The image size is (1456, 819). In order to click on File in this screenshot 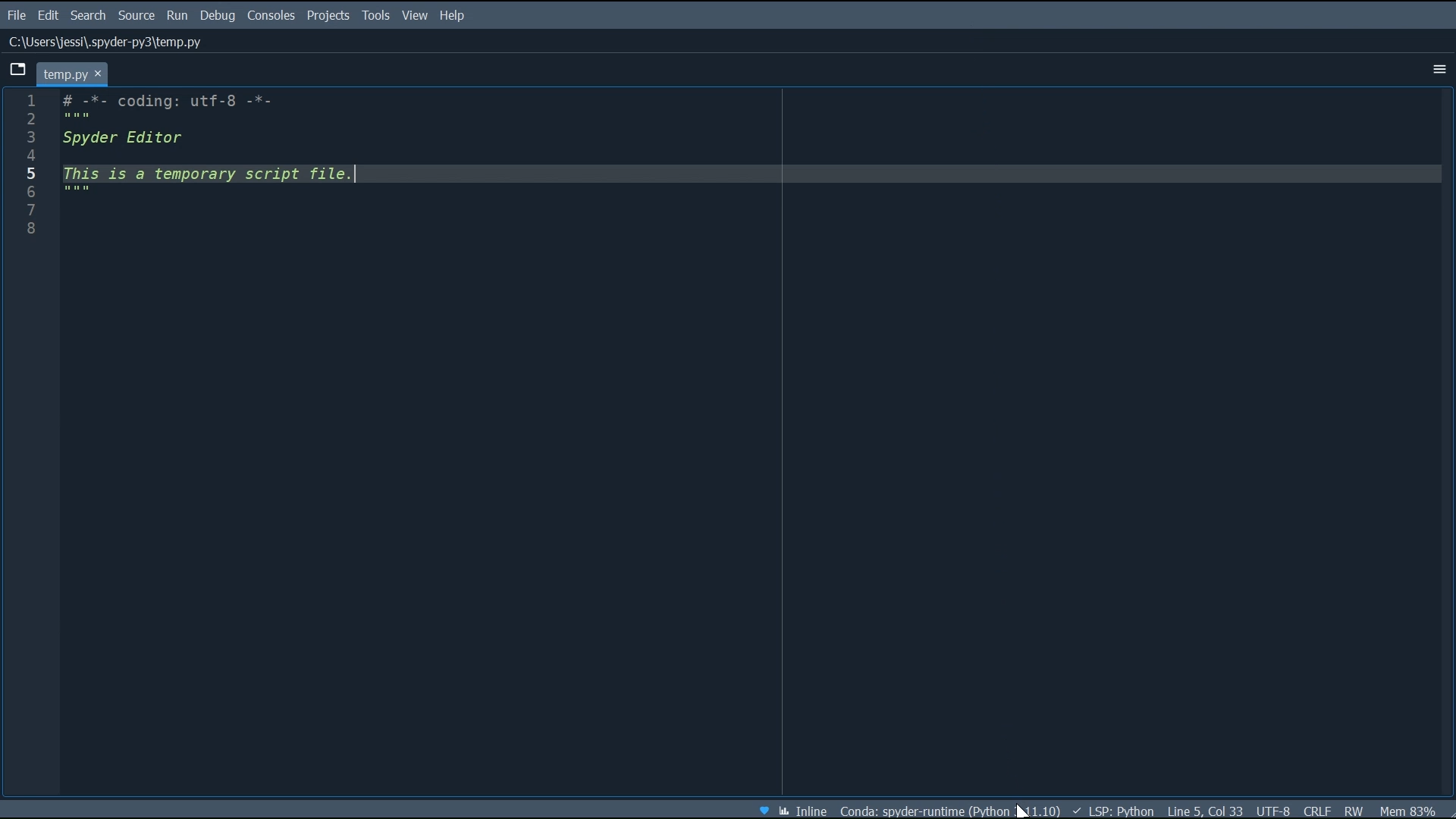, I will do `click(15, 14)`.